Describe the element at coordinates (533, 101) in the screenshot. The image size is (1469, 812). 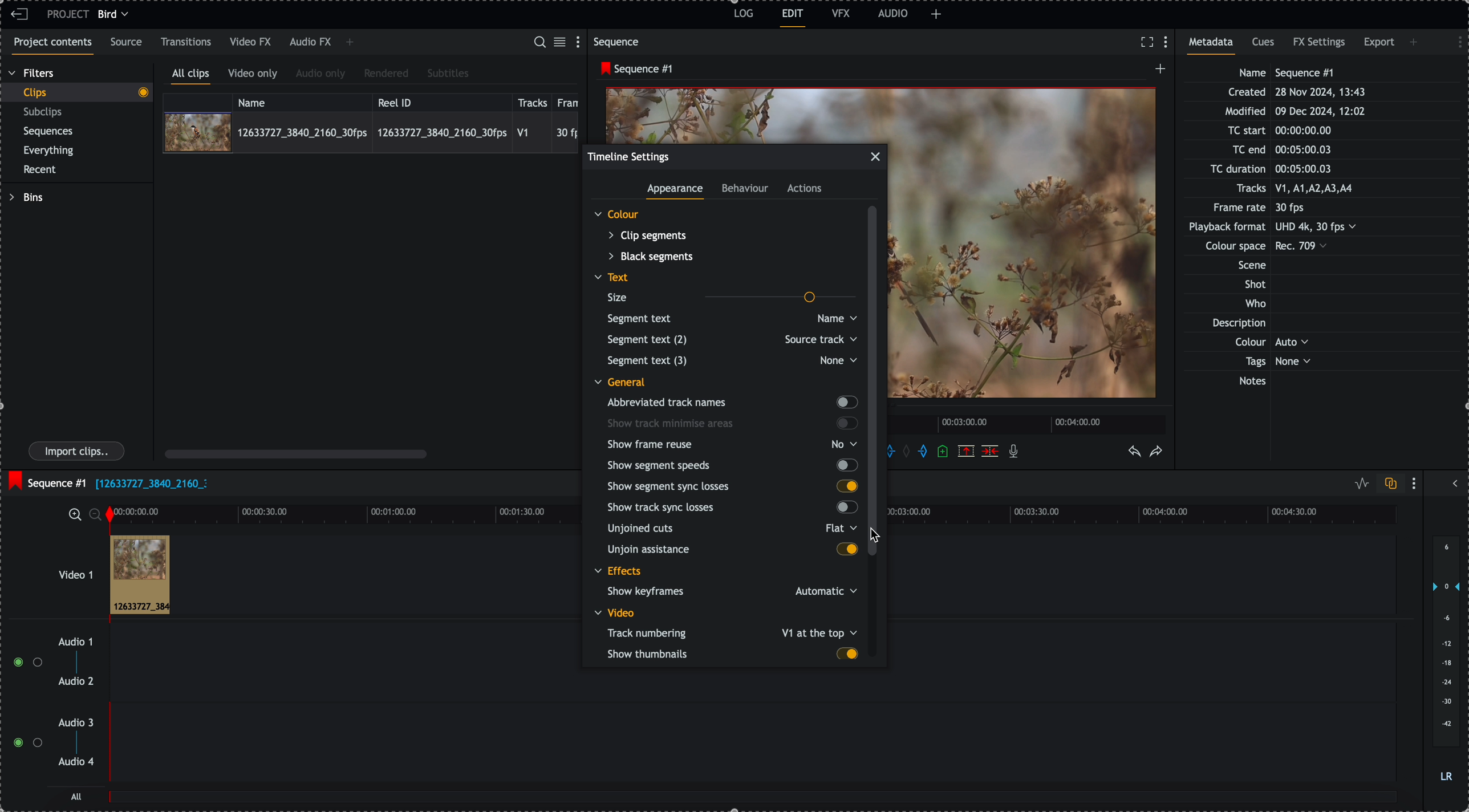
I see `tracks` at that location.